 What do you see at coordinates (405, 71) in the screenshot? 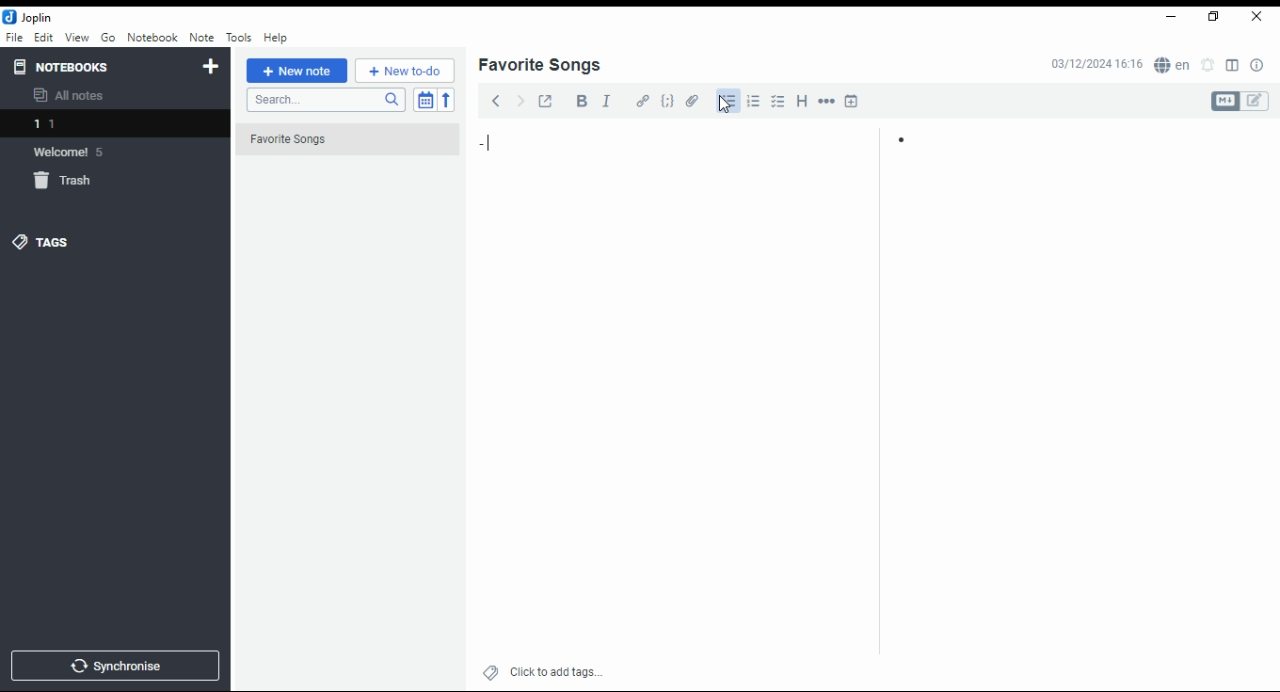
I see `New to-do` at bounding box center [405, 71].